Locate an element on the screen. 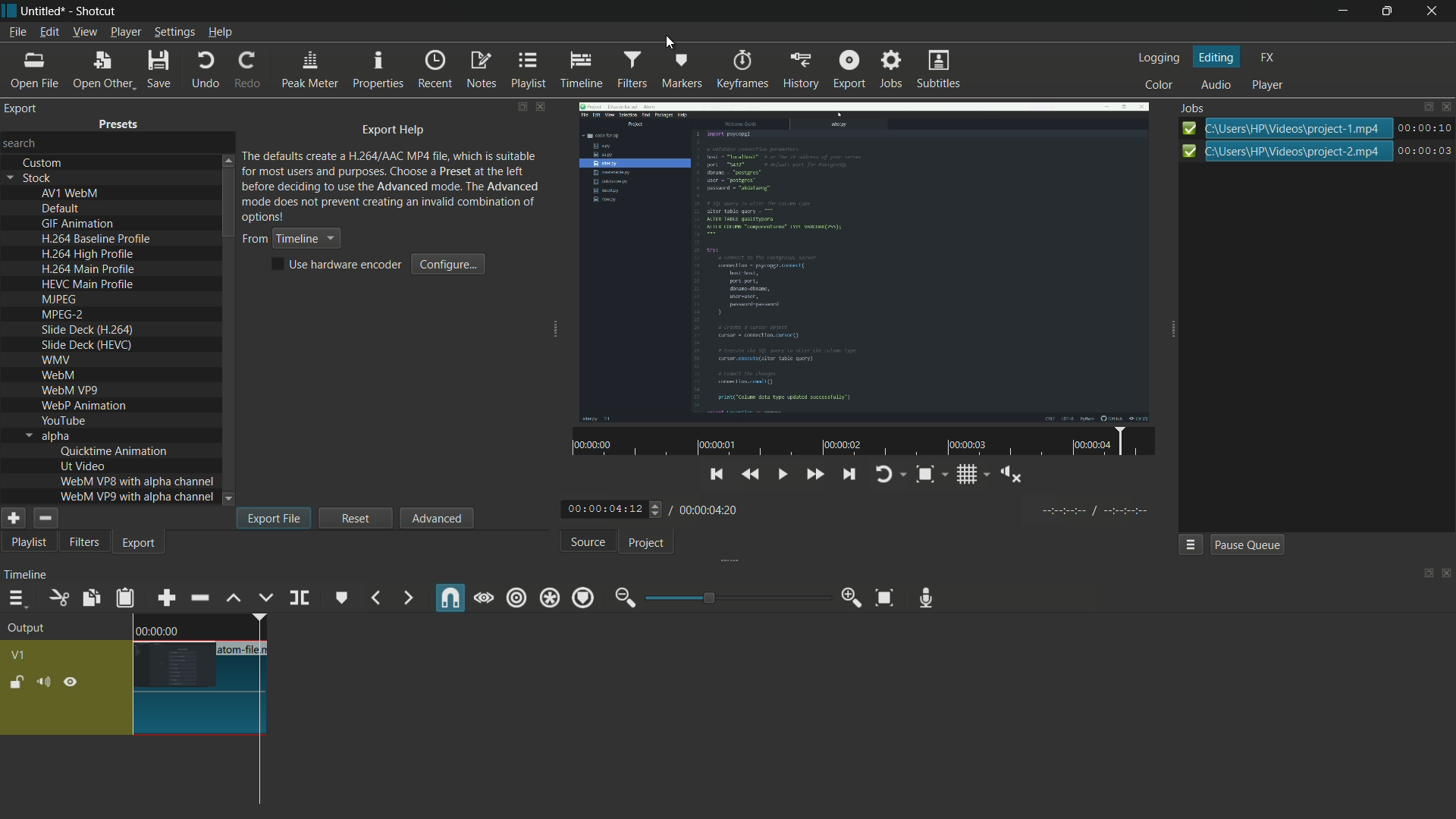  imported file is located at coordinates (861, 261).